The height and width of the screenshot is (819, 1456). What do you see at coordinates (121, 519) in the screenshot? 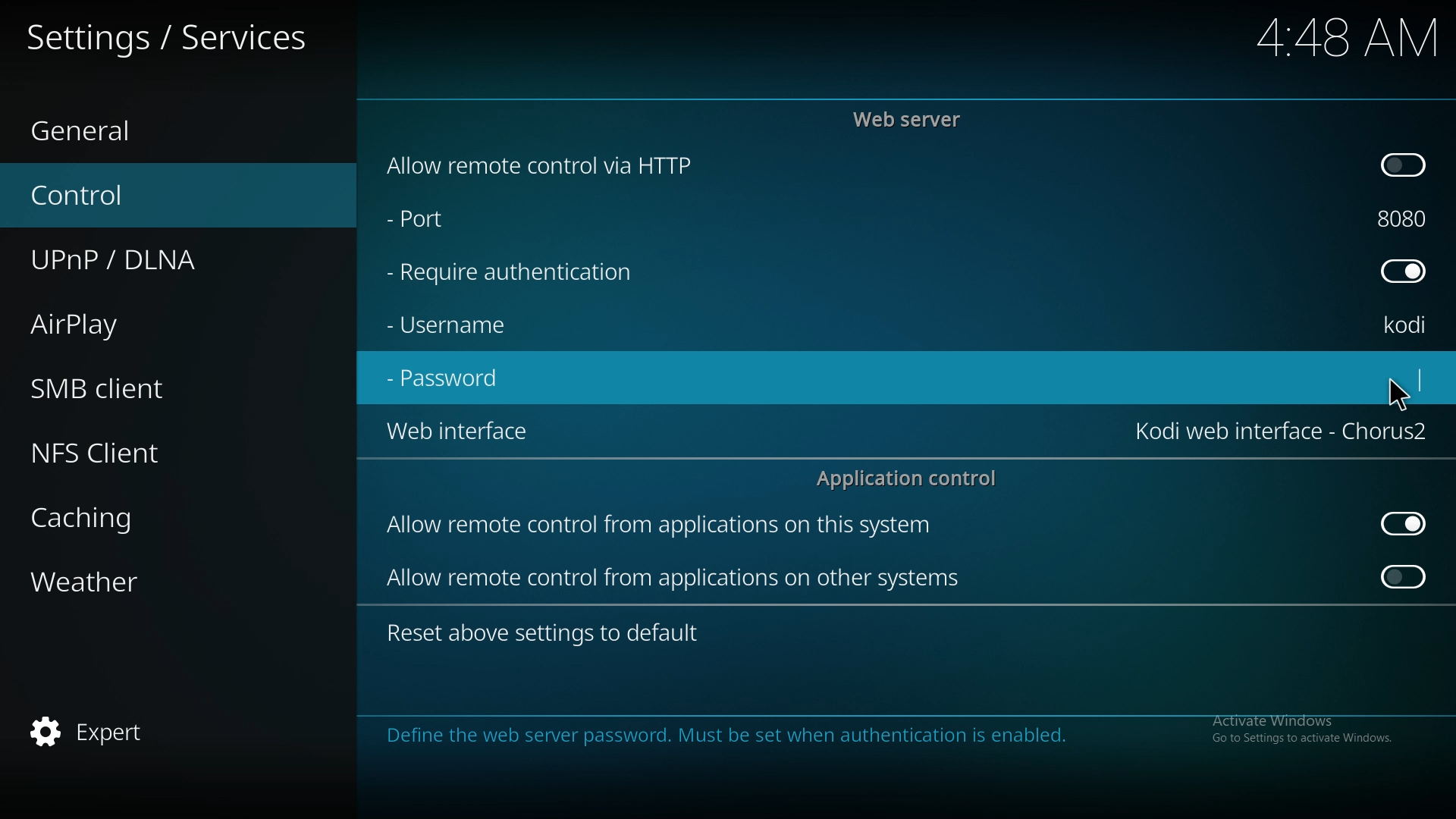
I see `caching` at bounding box center [121, 519].